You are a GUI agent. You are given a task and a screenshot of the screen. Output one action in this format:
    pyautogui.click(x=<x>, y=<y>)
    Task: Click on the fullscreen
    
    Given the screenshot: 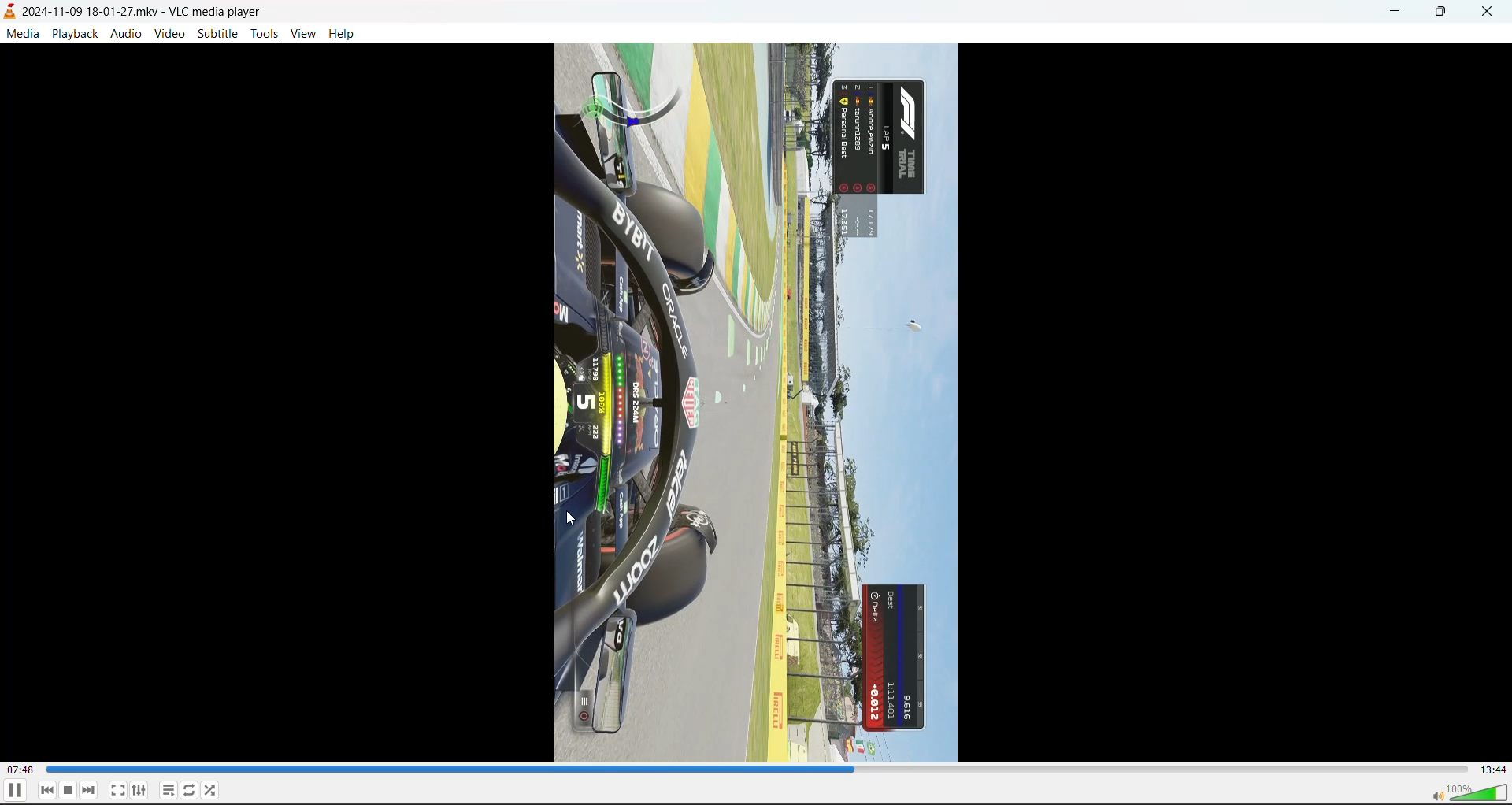 What is the action you would take?
    pyautogui.click(x=117, y=787)
    